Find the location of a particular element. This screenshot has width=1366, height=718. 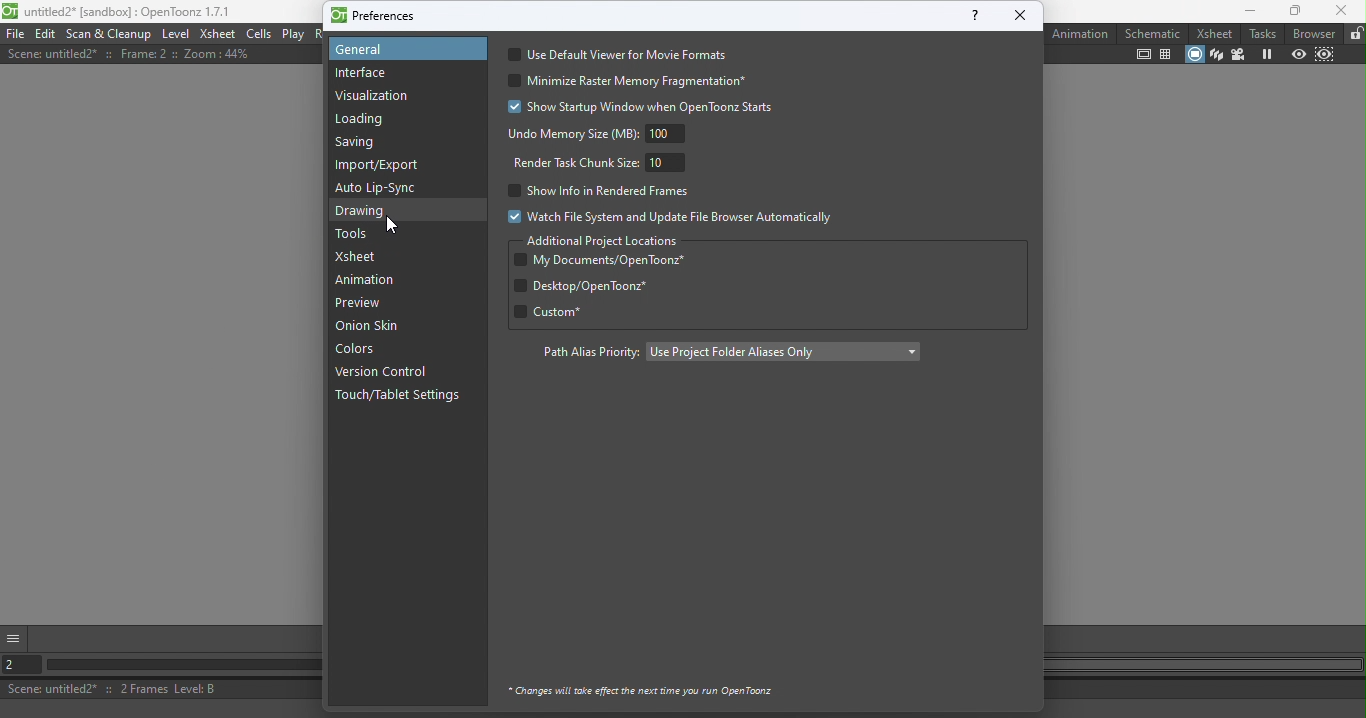

Show info in rendered frames is located at coordinates (596, 190).